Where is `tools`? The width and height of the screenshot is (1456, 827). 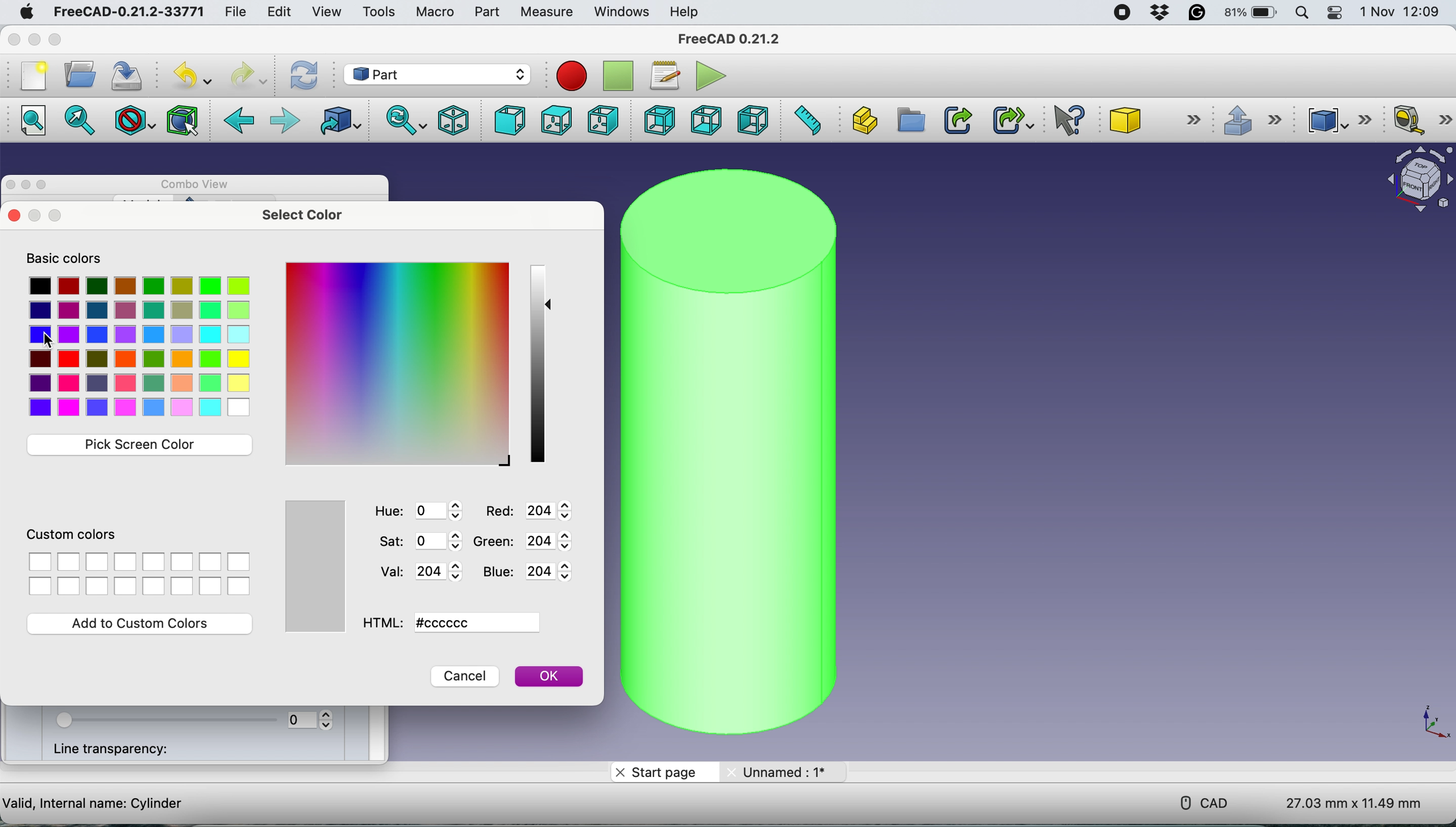
tools is located at coordinates (382, 12).